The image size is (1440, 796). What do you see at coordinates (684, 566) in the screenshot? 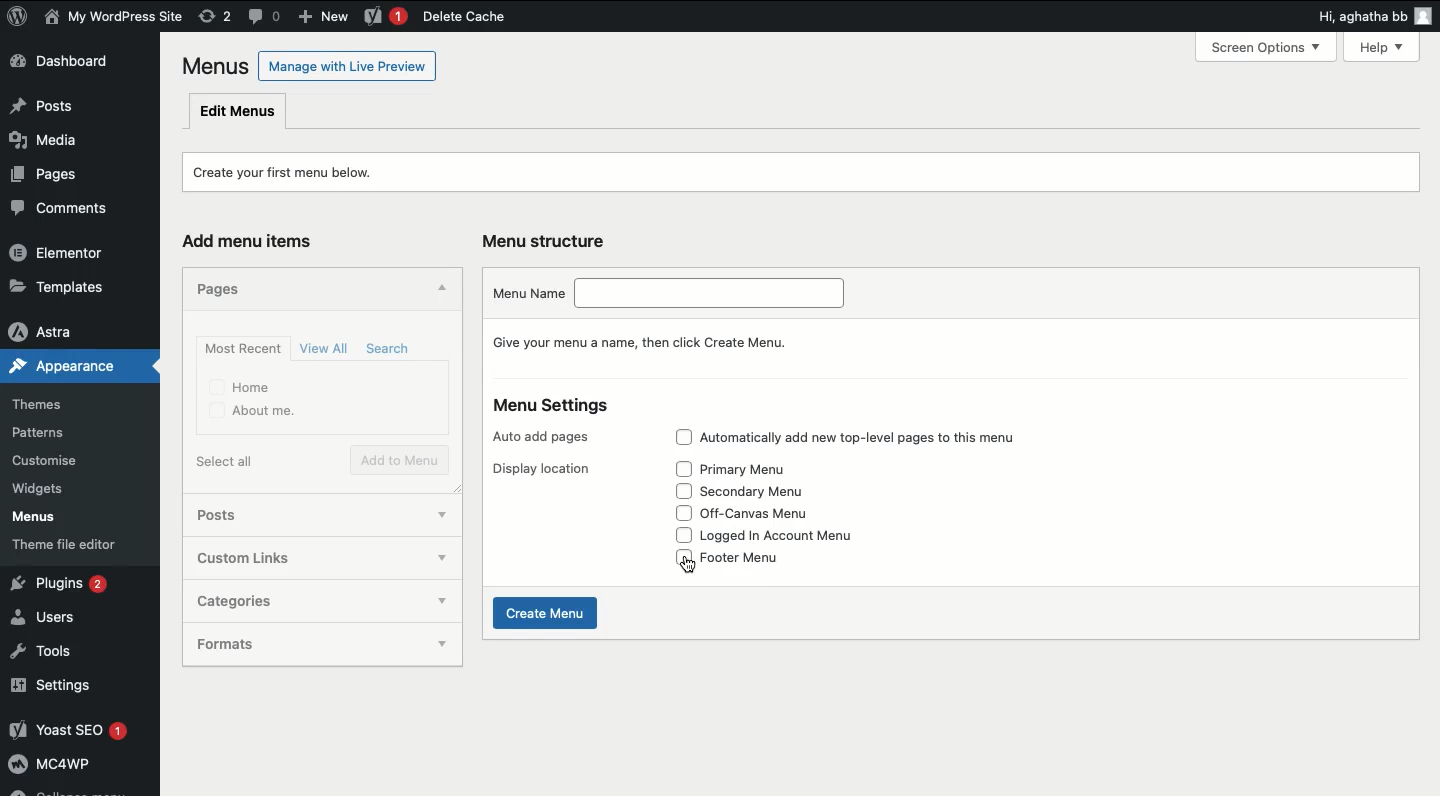
I see `cursor` at bounding box center [684, 566].